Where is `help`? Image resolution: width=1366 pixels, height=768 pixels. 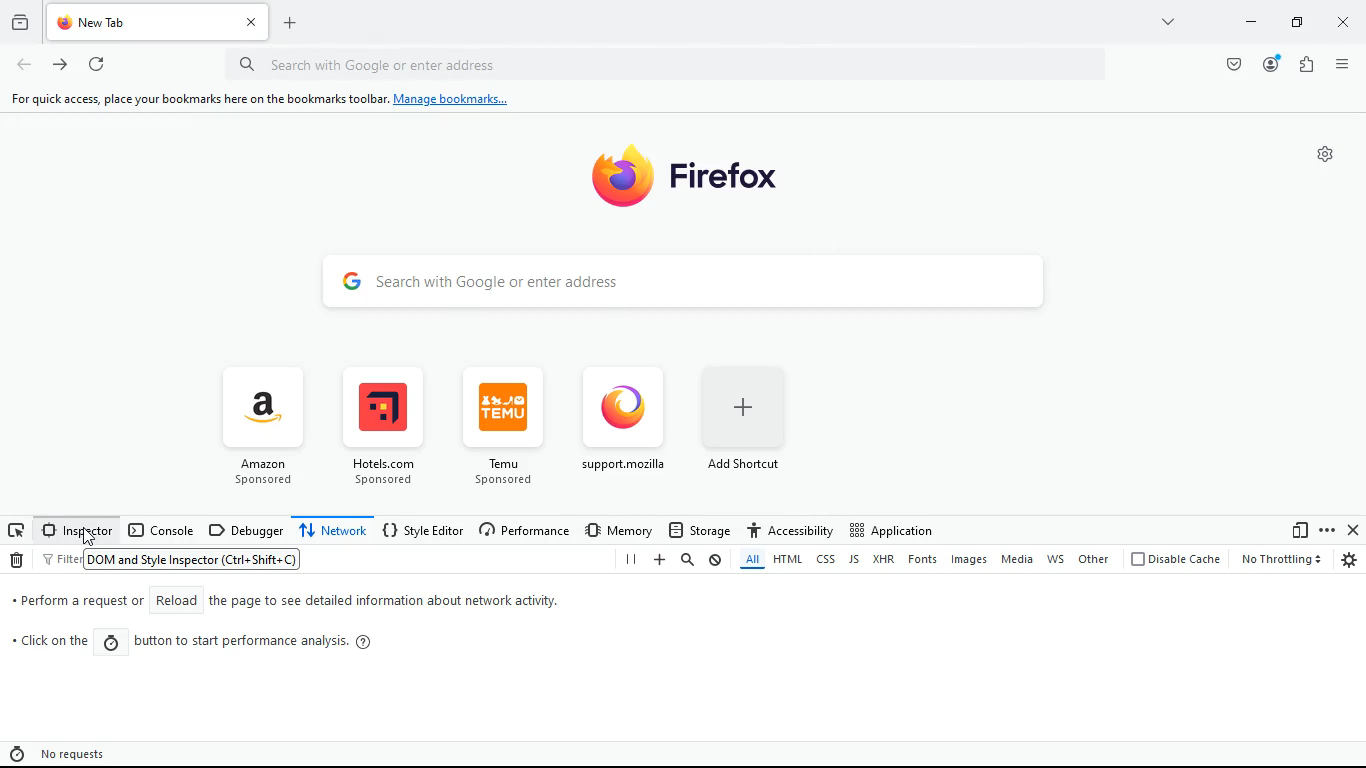 help is located at coordinates (368, 642).